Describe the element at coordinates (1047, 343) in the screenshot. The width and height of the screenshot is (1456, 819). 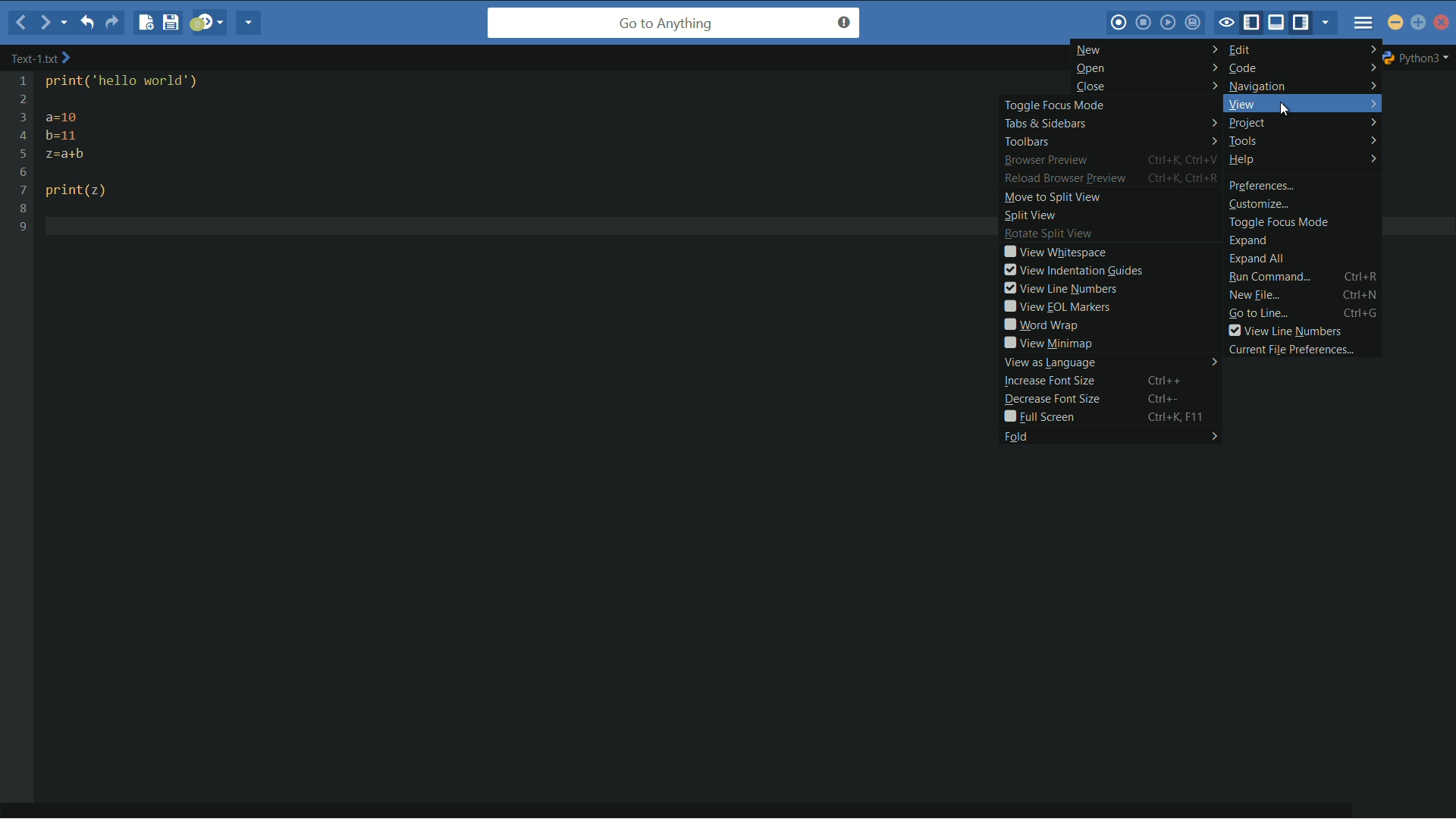
I see `view minimap` at that location.